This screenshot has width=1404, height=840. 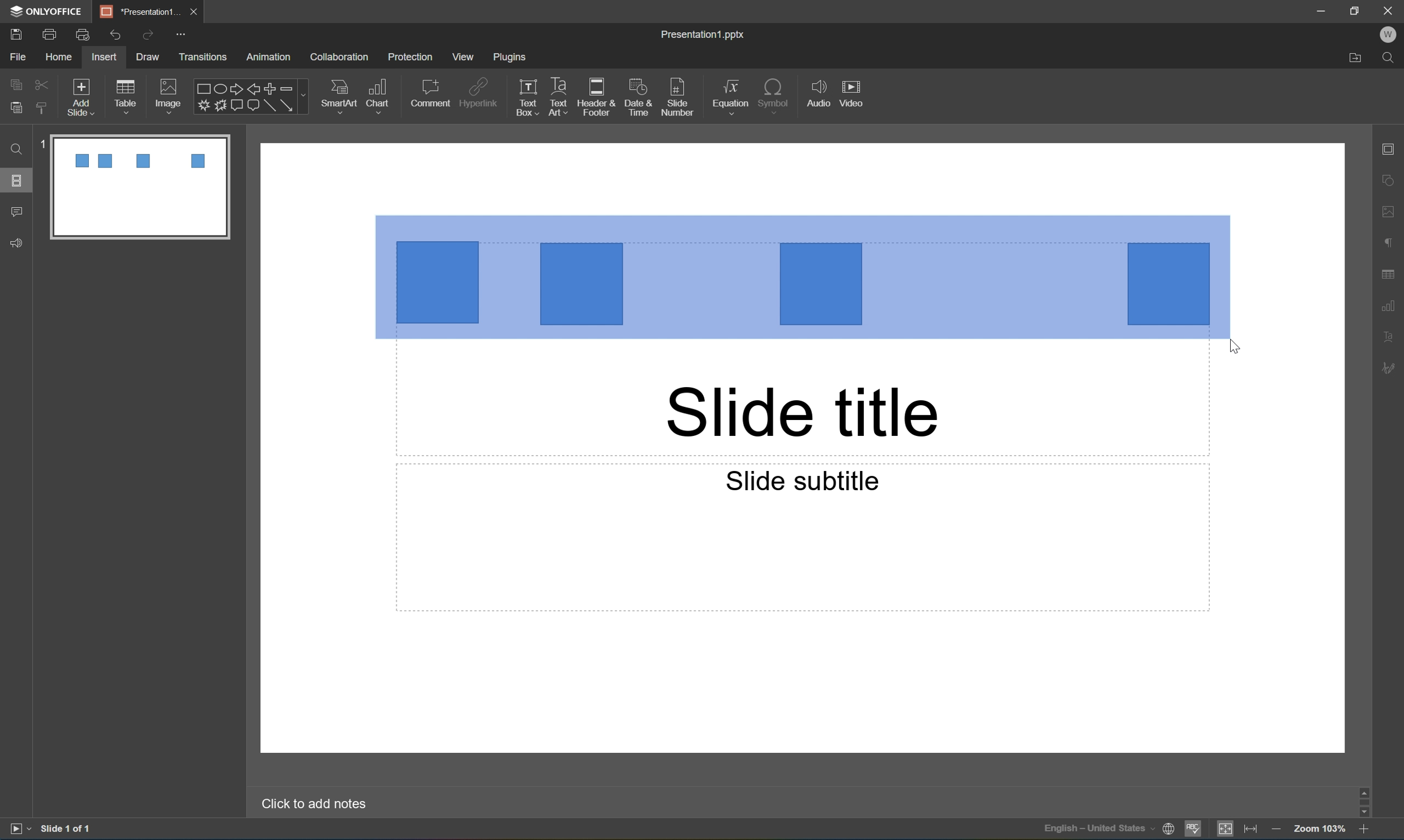 I want to click on close, so click(x=1389, y=10).